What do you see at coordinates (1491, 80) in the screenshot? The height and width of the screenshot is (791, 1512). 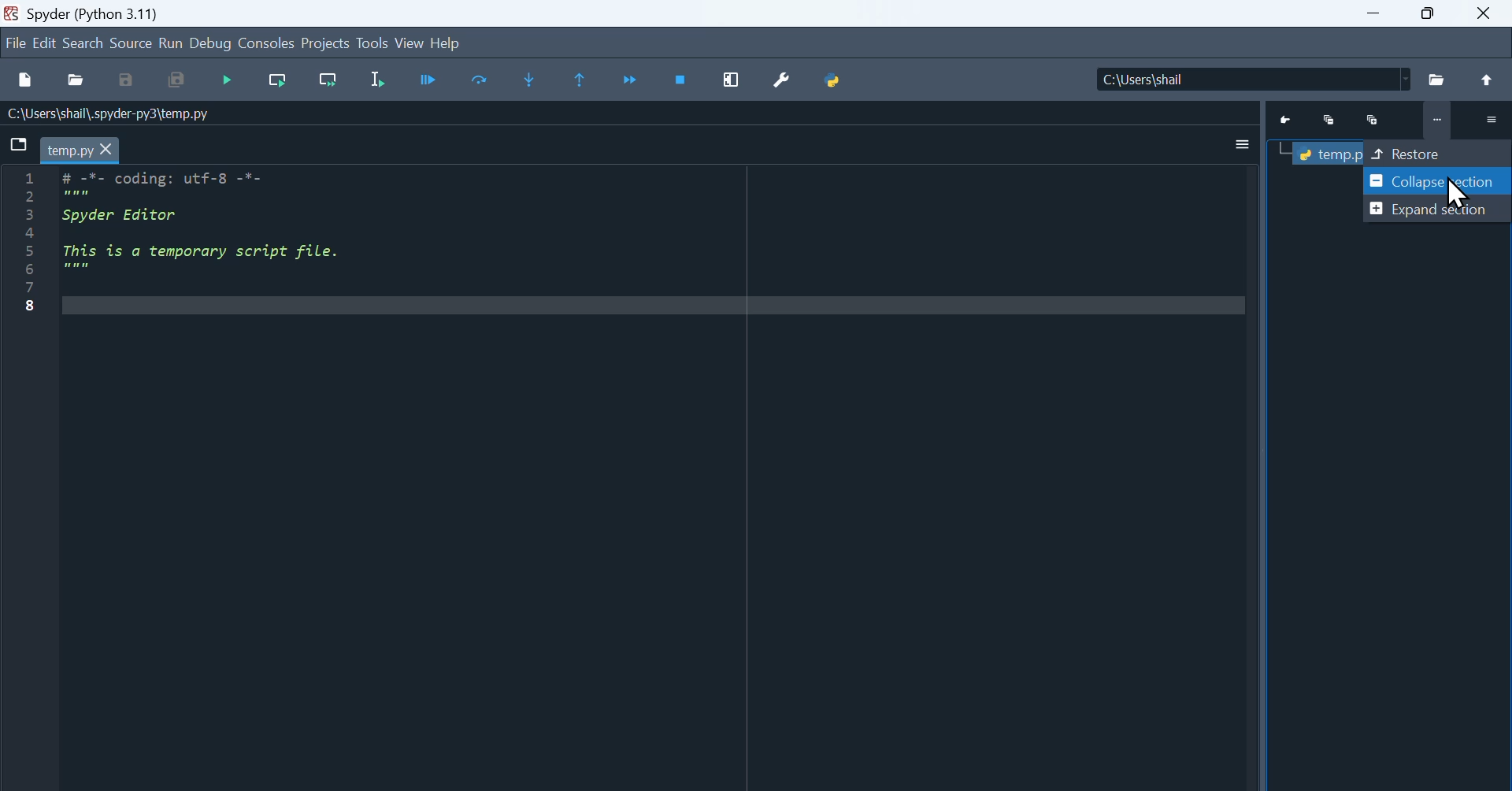 I see `Up to` at bounding box center [1491, 80].